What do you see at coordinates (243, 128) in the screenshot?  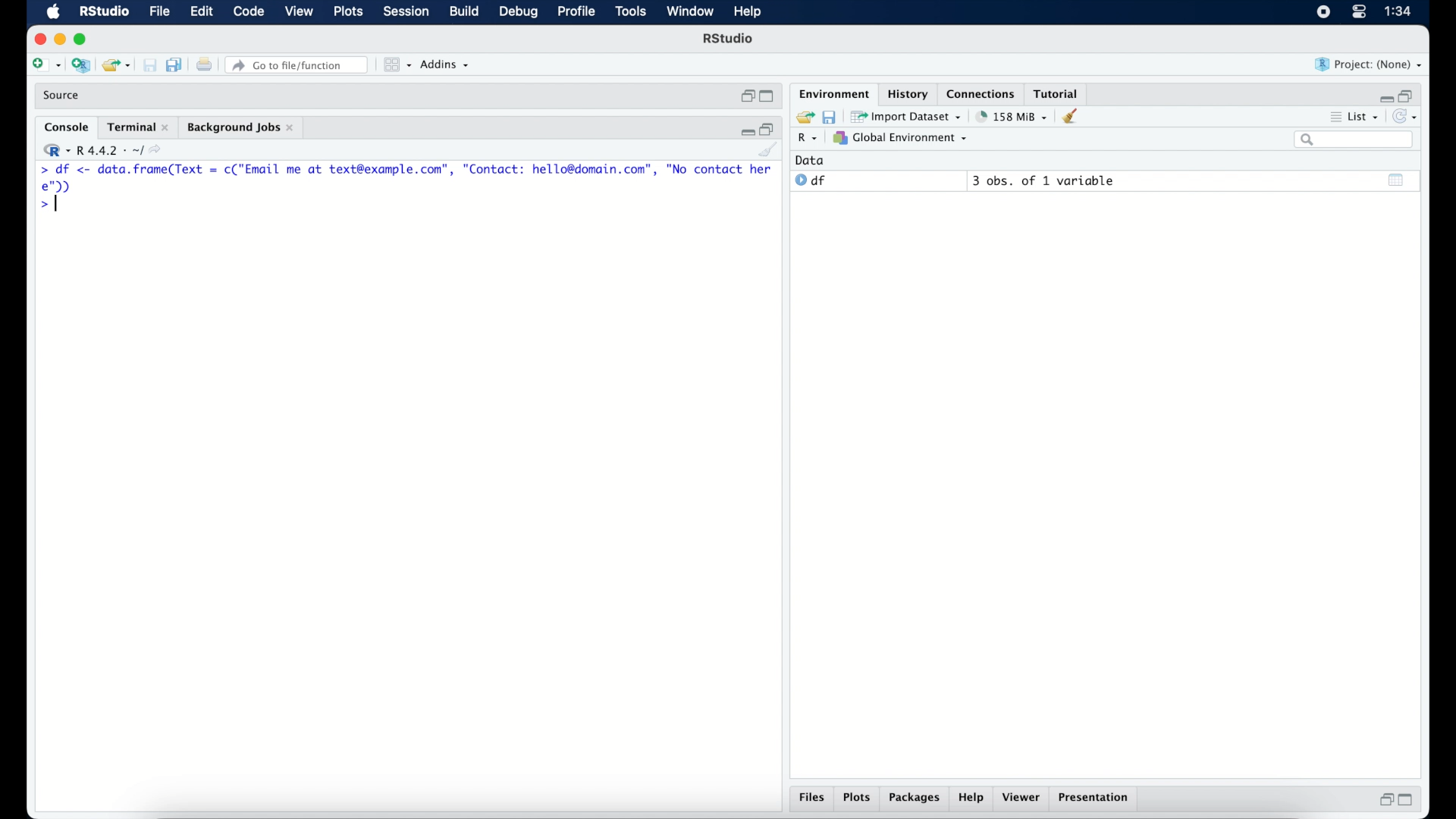 I see `background jobs` at bounding box center [243, 128].